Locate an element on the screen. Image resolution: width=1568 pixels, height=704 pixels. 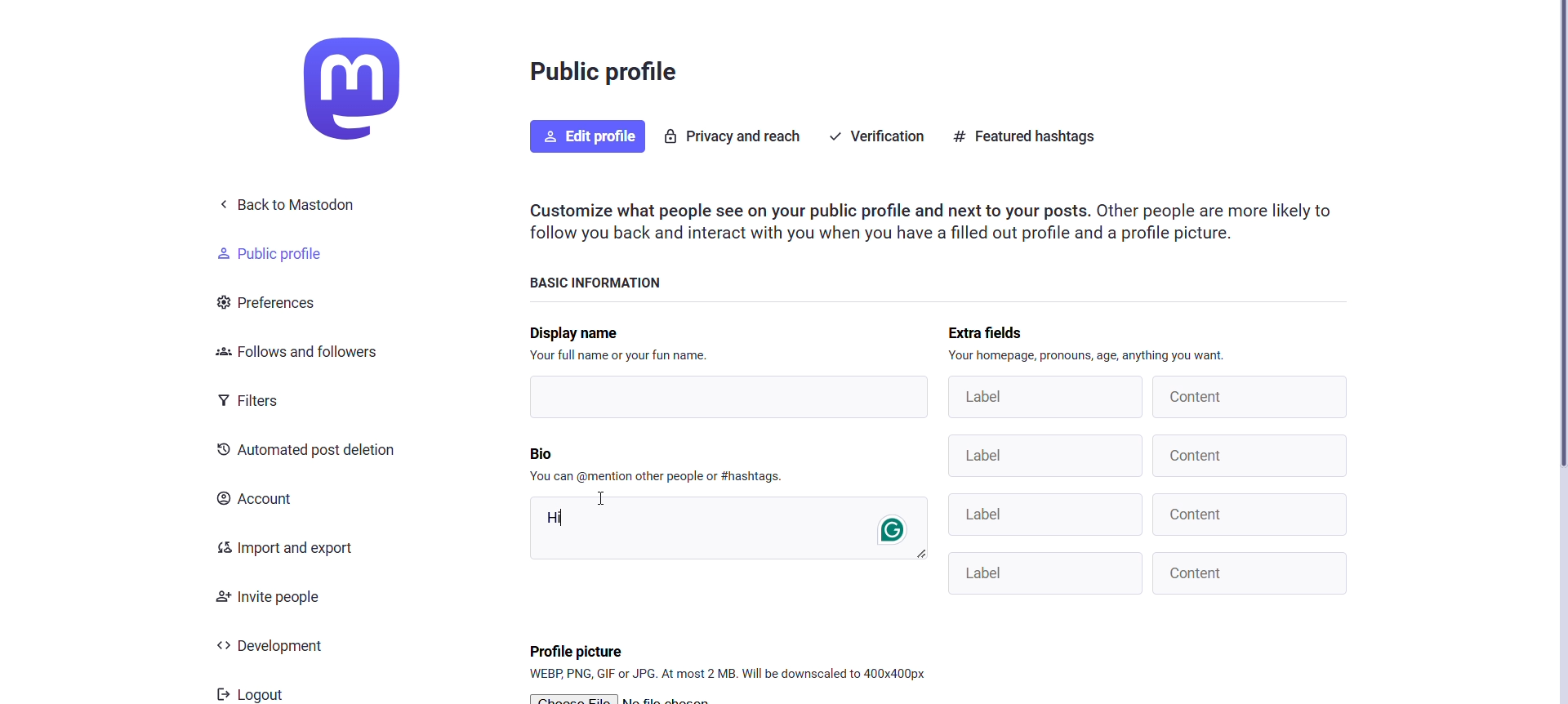
grammerly is located at coordinates (893, 530).